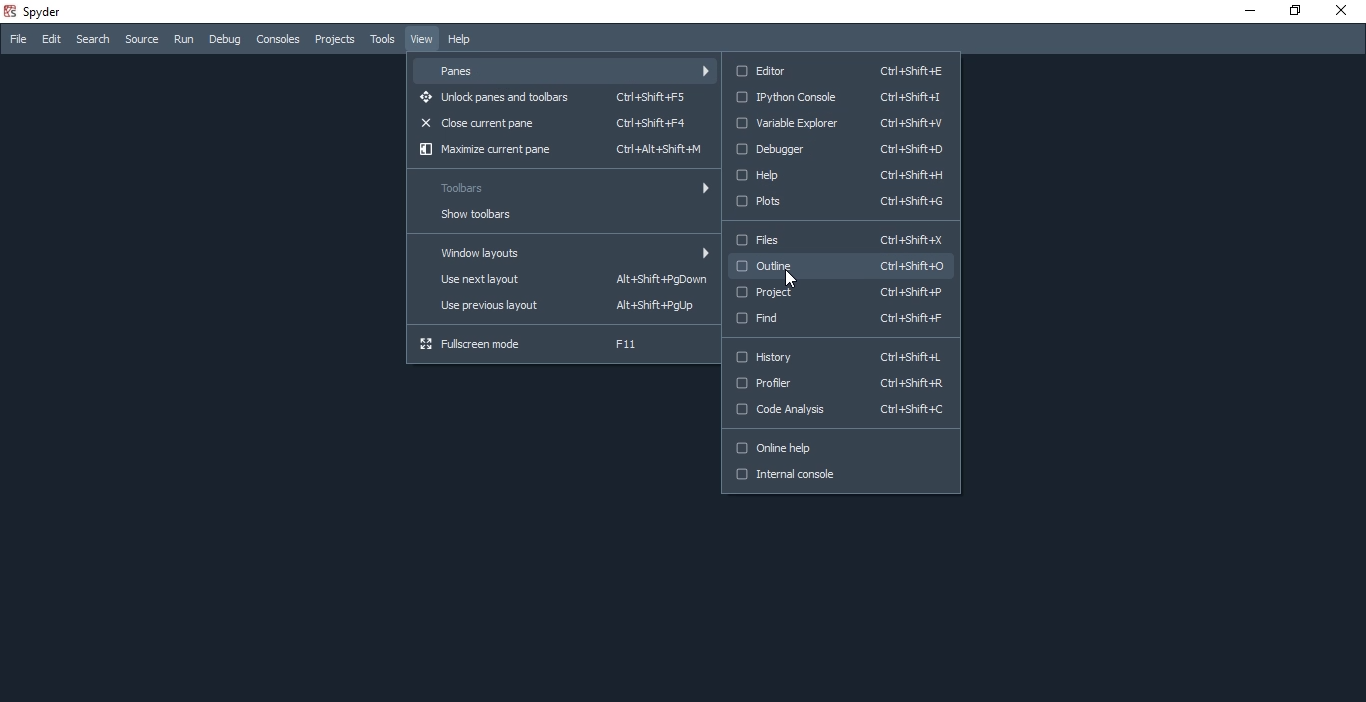  What do you see at coordinates (556, 344) in the screenshot?
I see `Fullscreen mode` at bounding box center [556, 344].